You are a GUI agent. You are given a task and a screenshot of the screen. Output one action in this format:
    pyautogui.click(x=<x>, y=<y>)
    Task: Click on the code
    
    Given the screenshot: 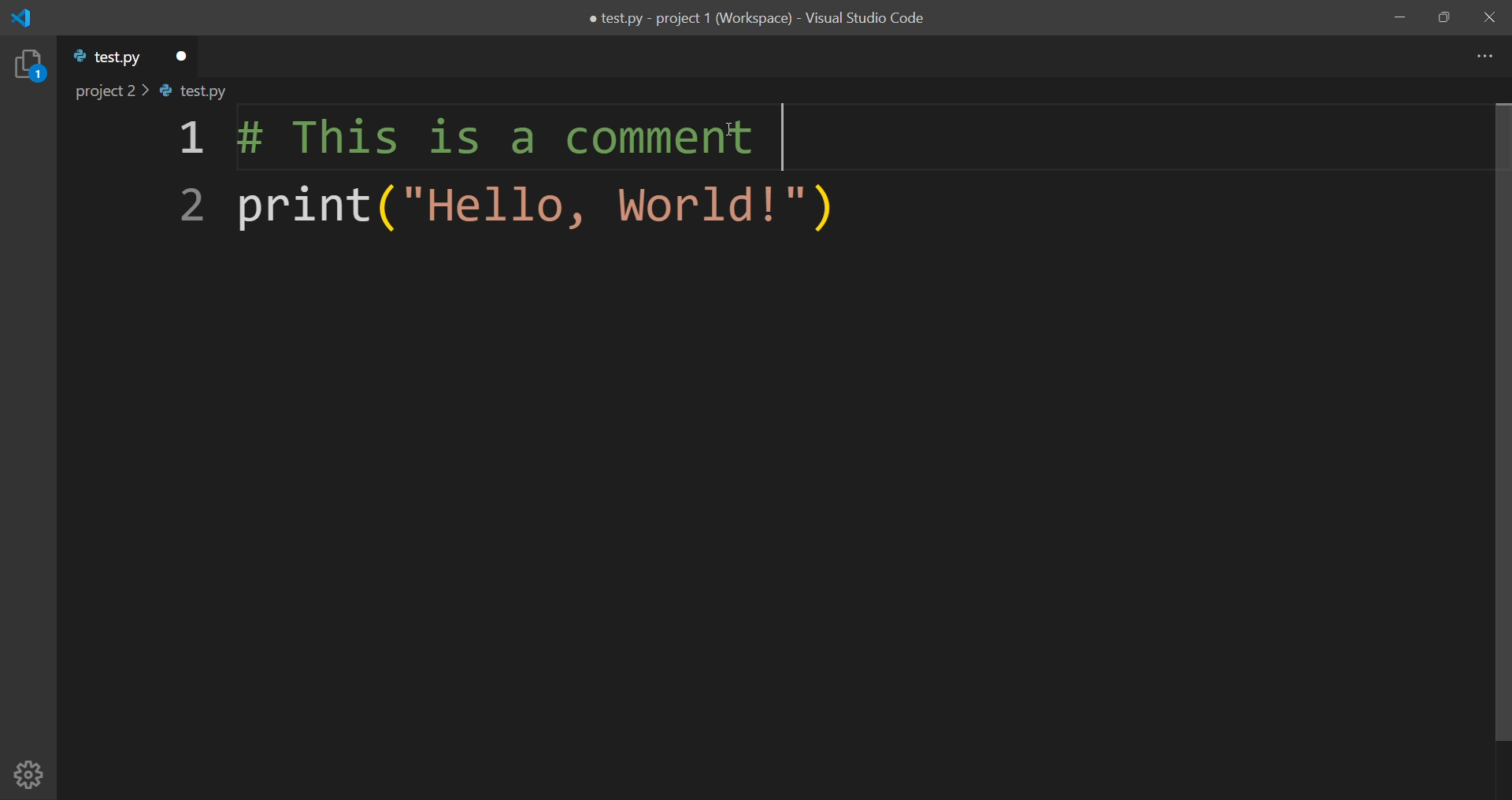 What is the action you would take?
    pyautogui.click(x=526, y=209)
    